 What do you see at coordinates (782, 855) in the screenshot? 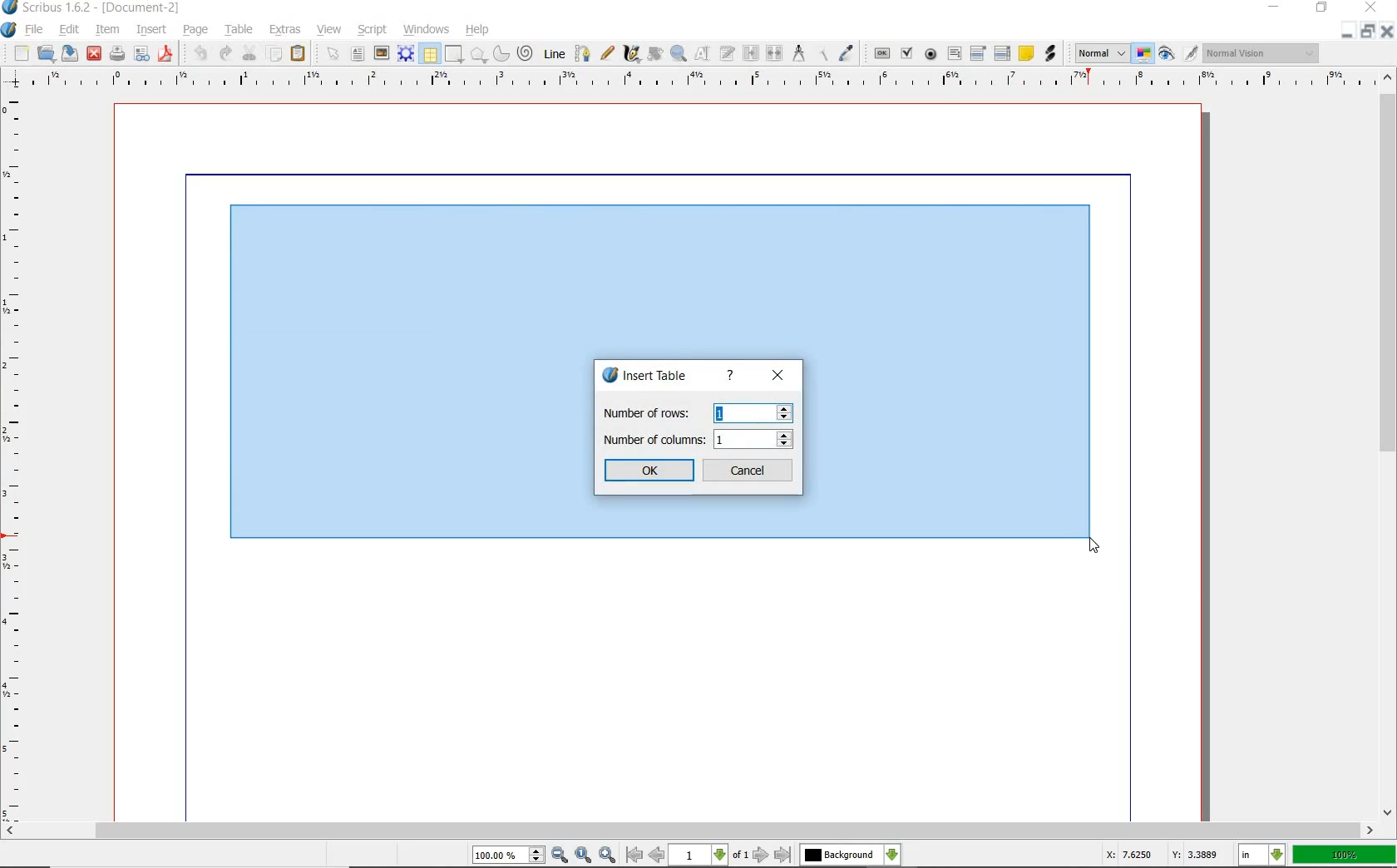
I see `go to last page` at bounding box center [782, 855].